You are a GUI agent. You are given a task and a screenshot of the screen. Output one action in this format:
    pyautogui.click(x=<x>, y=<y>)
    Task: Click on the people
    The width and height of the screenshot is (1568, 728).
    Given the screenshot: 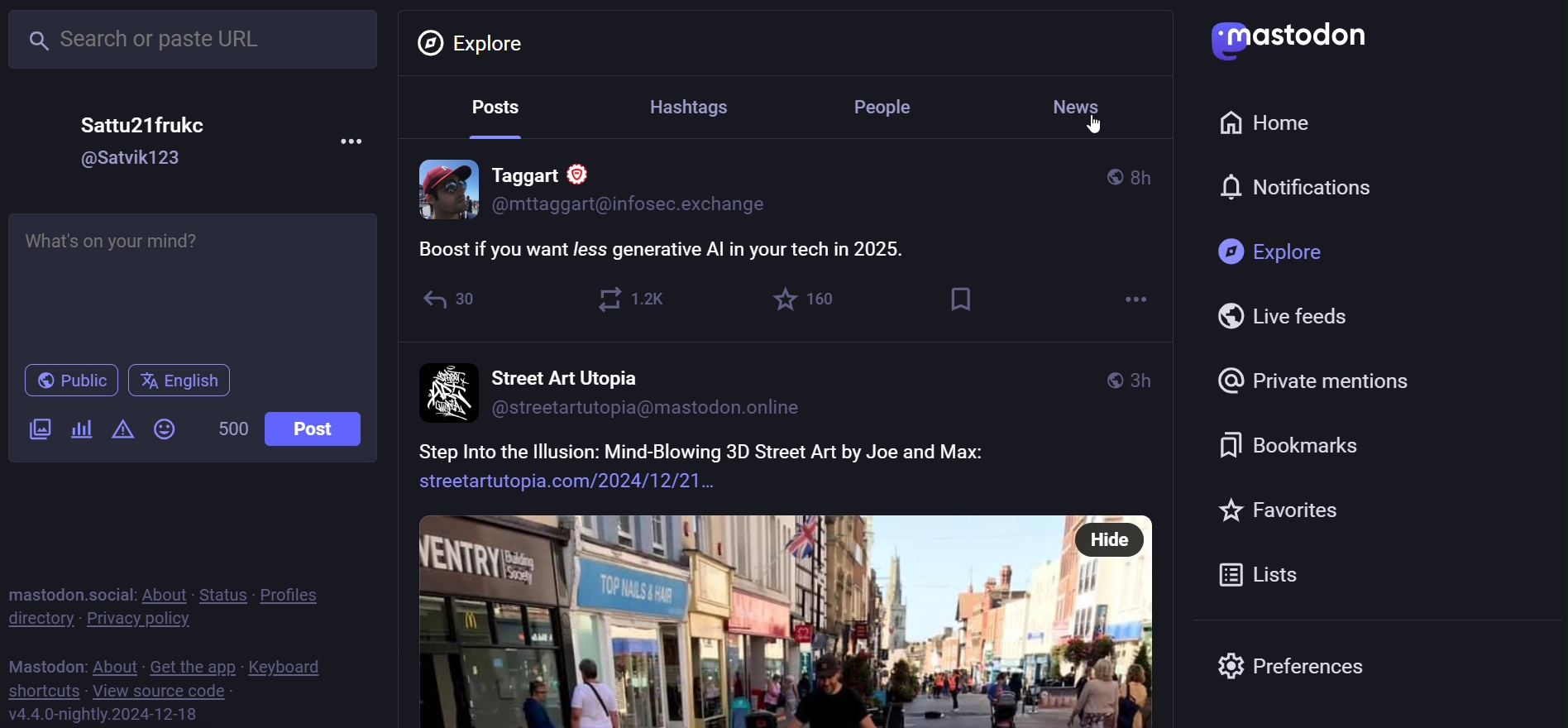 What is the action you would take?
    pyautogui.click(x=892, y=106)
    